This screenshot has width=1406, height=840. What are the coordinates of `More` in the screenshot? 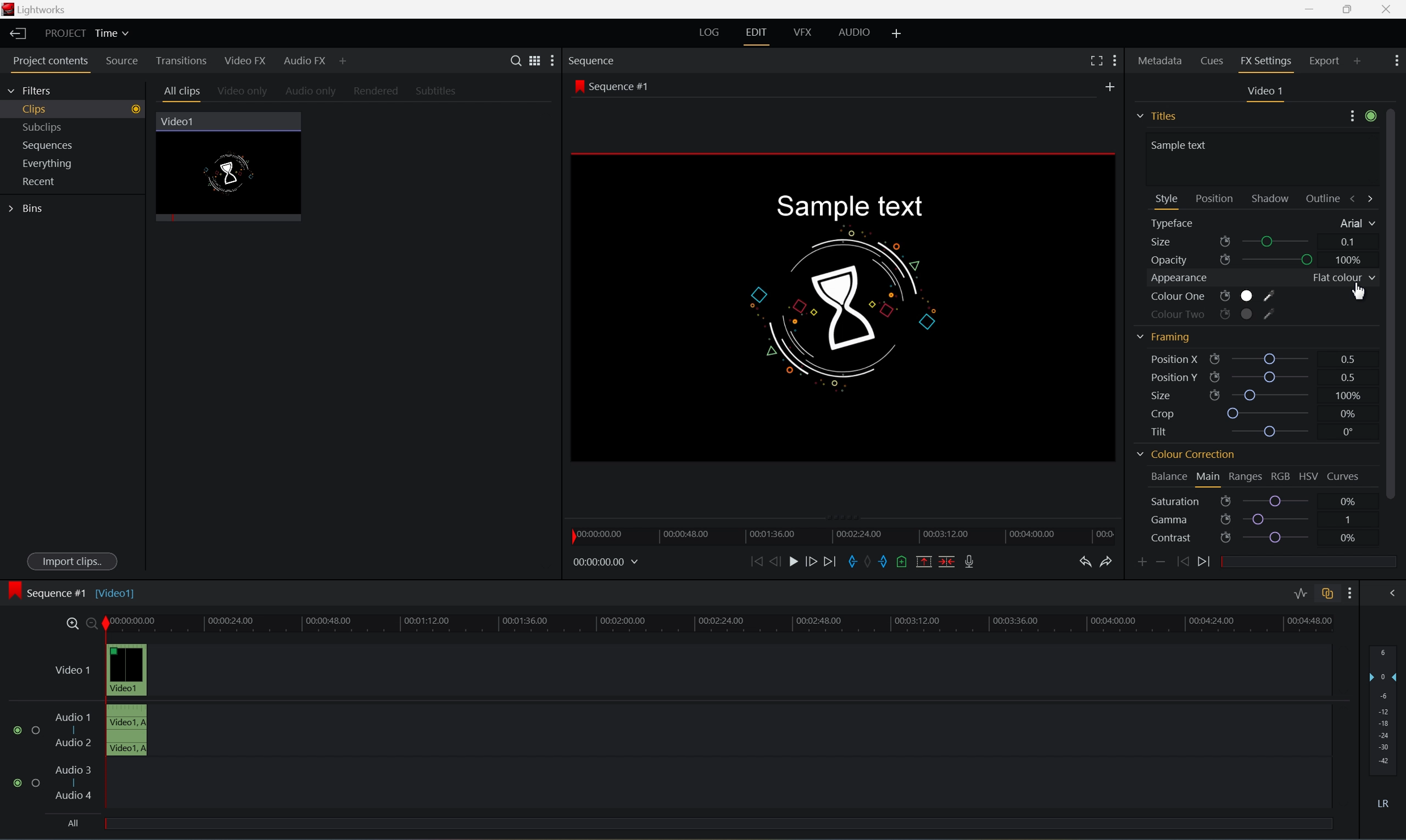 It's located at (1116, 60).